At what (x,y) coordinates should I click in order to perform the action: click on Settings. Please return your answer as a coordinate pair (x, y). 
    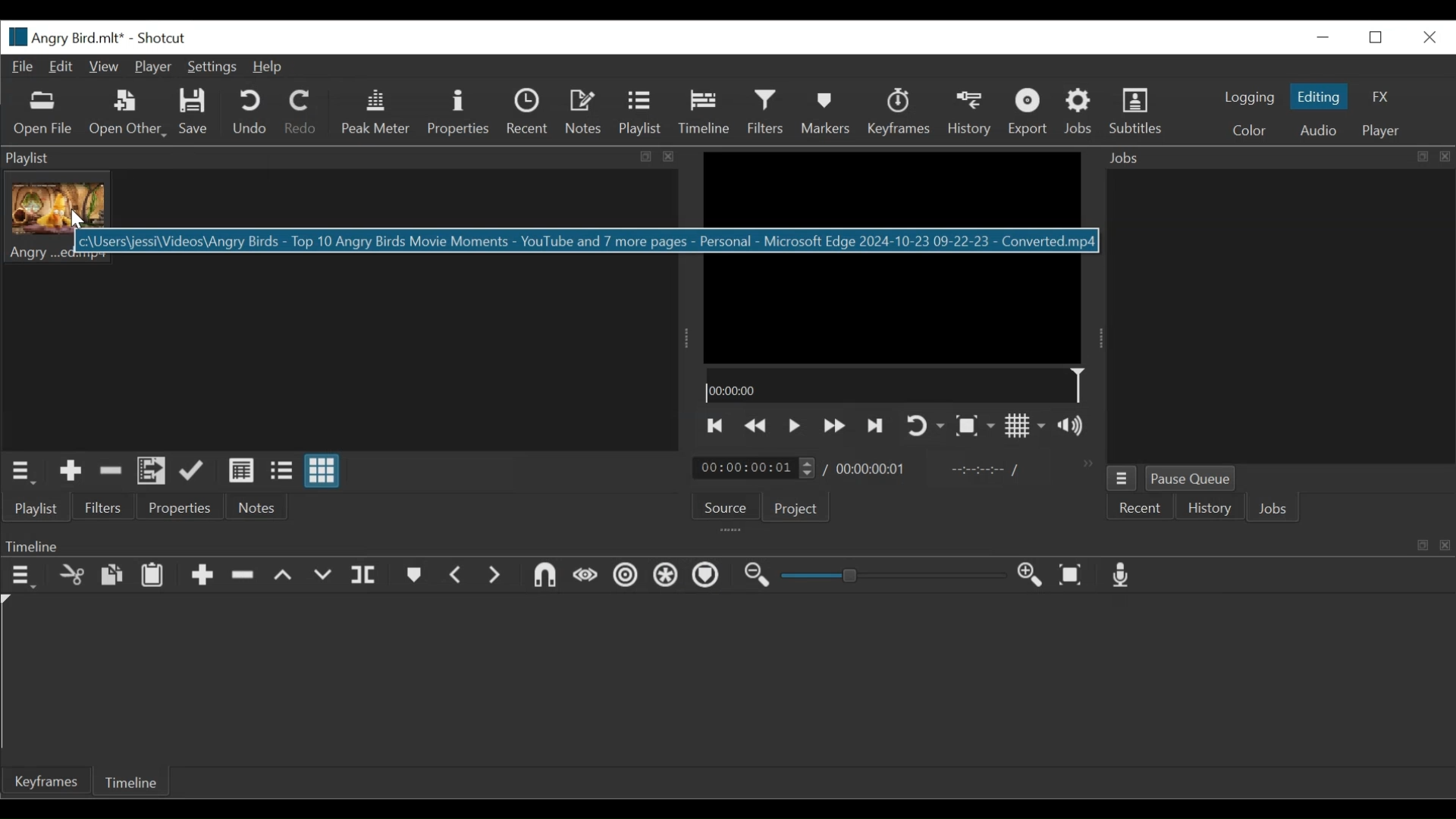
    Looking at the image, I should click on (212, 67).